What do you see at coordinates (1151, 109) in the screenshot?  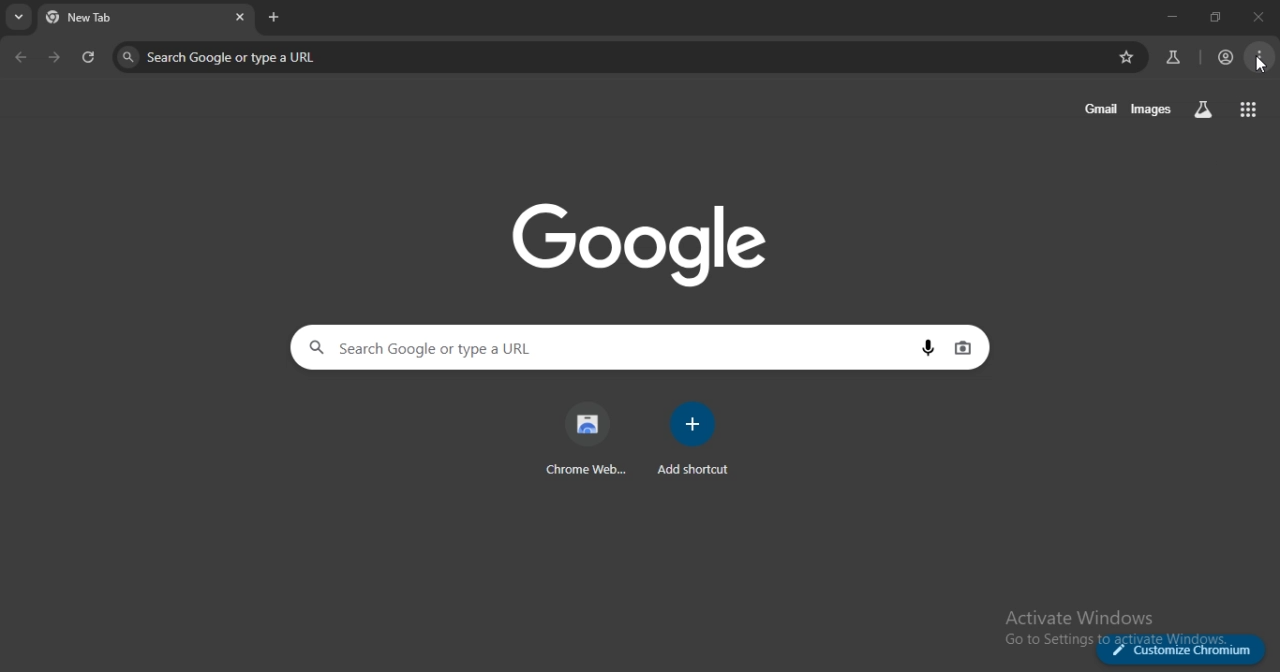 I see `images` at bounding box center [1151, 109].